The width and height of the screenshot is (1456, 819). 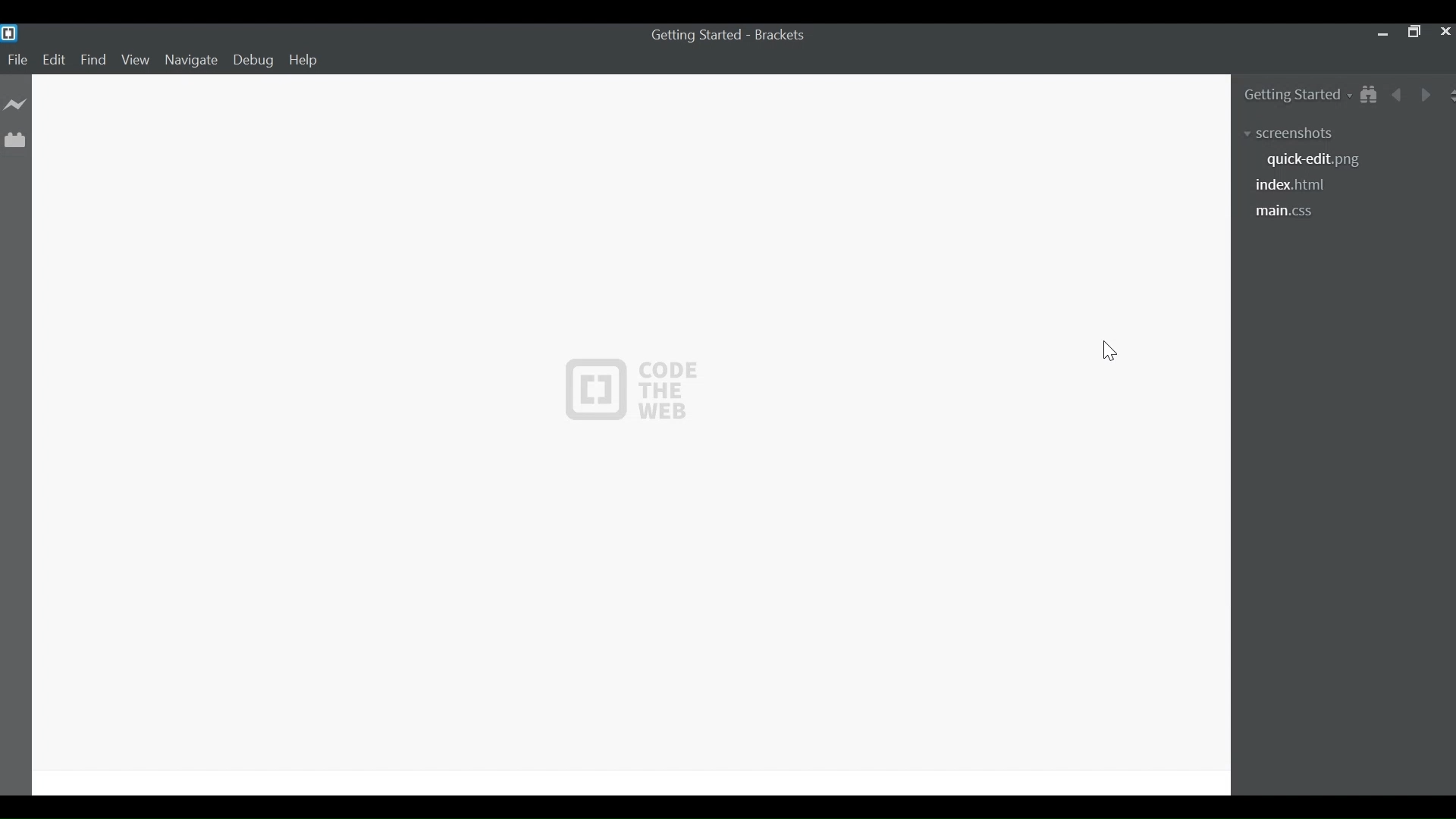 What do you see at coordinates (1414, 33) in the screenshot?
I see `Restore` at bounding box center [1414, 33].